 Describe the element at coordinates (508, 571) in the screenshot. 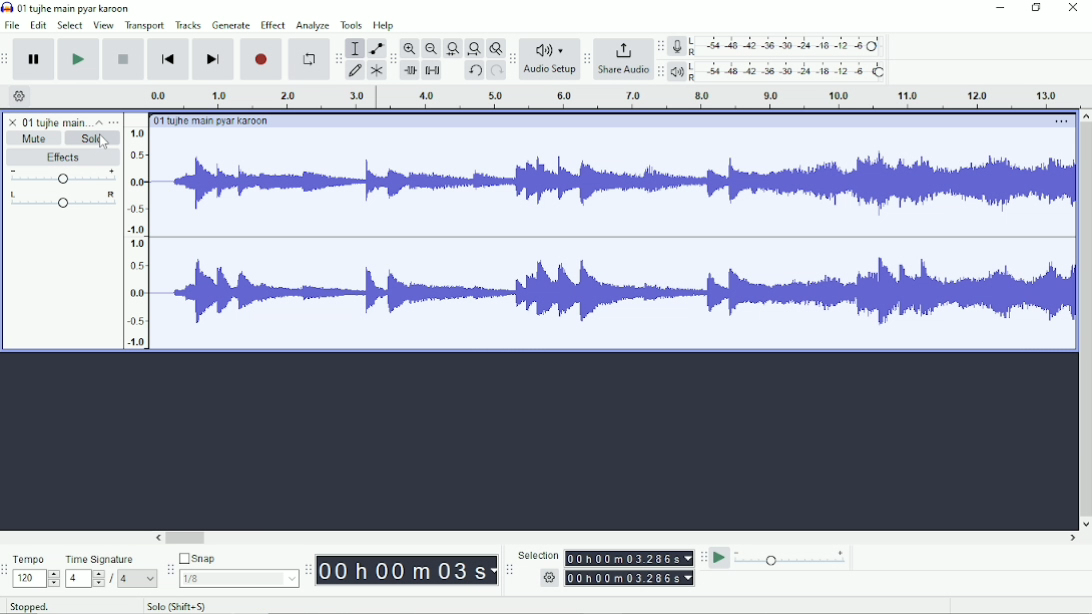

I see `Audacity selection toolbar` at that location.